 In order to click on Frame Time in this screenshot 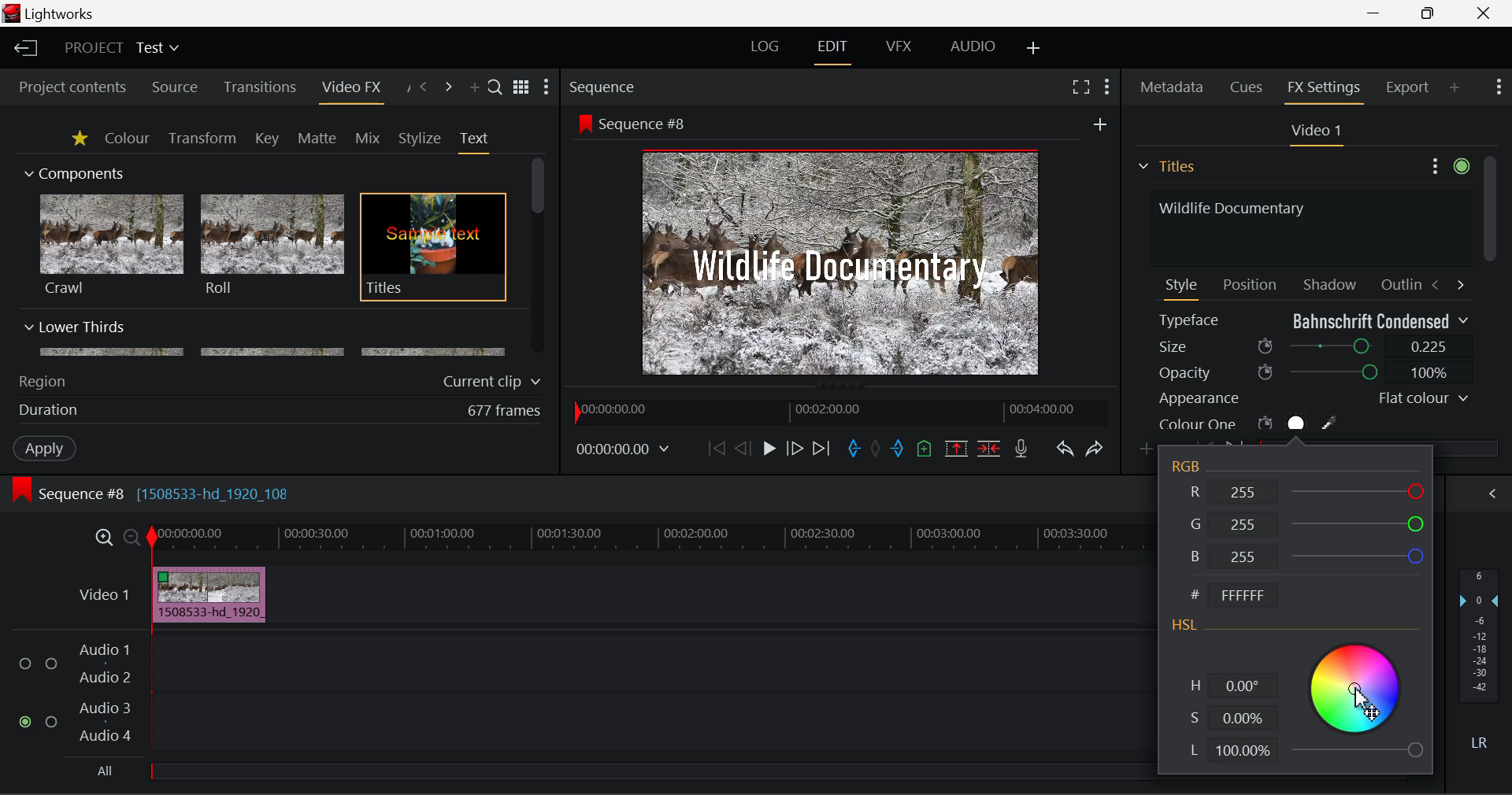, I will do `click(624, 451)`.